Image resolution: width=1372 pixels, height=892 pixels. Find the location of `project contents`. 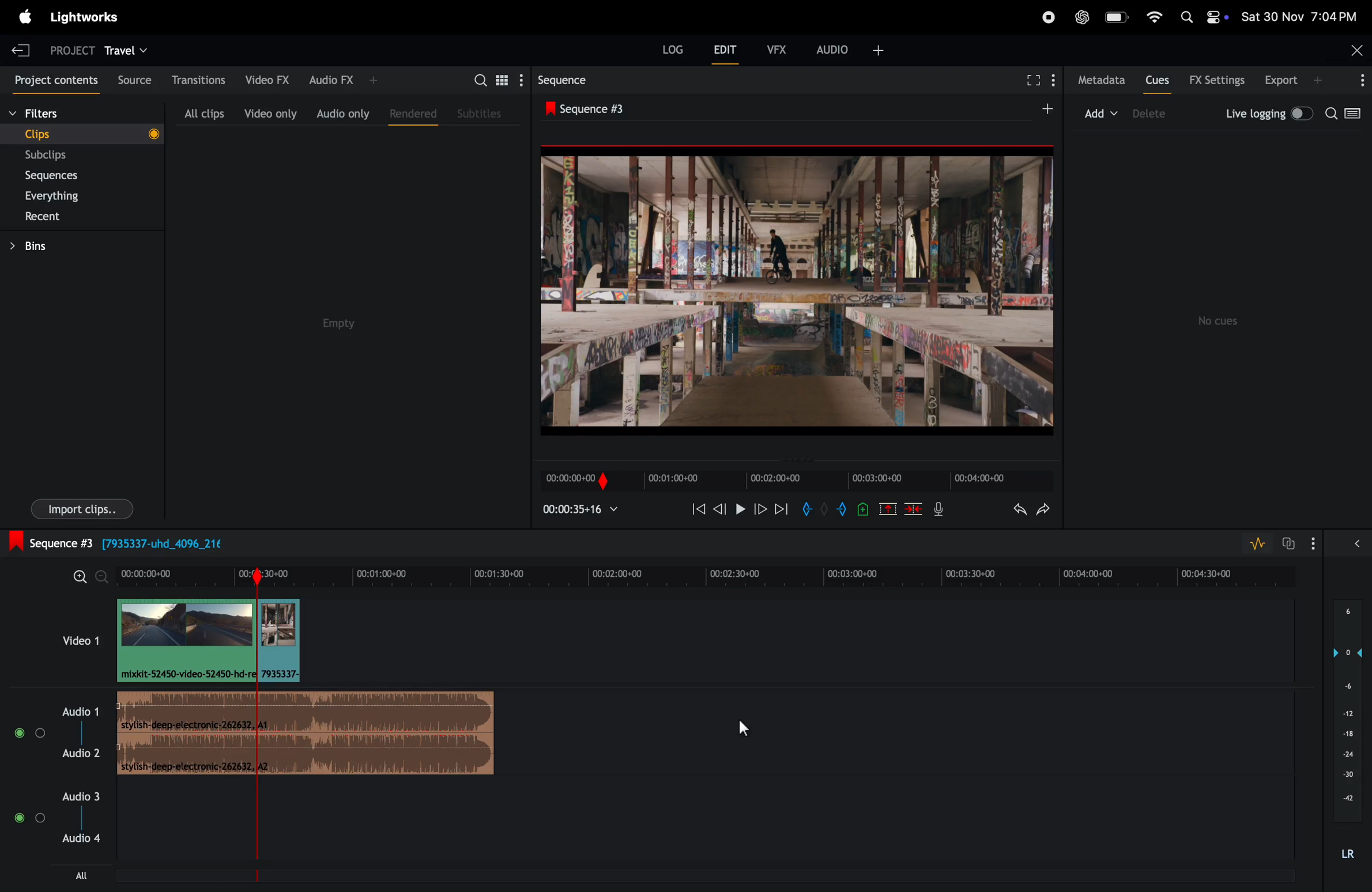

project contents is located at coordinates (51, 78).